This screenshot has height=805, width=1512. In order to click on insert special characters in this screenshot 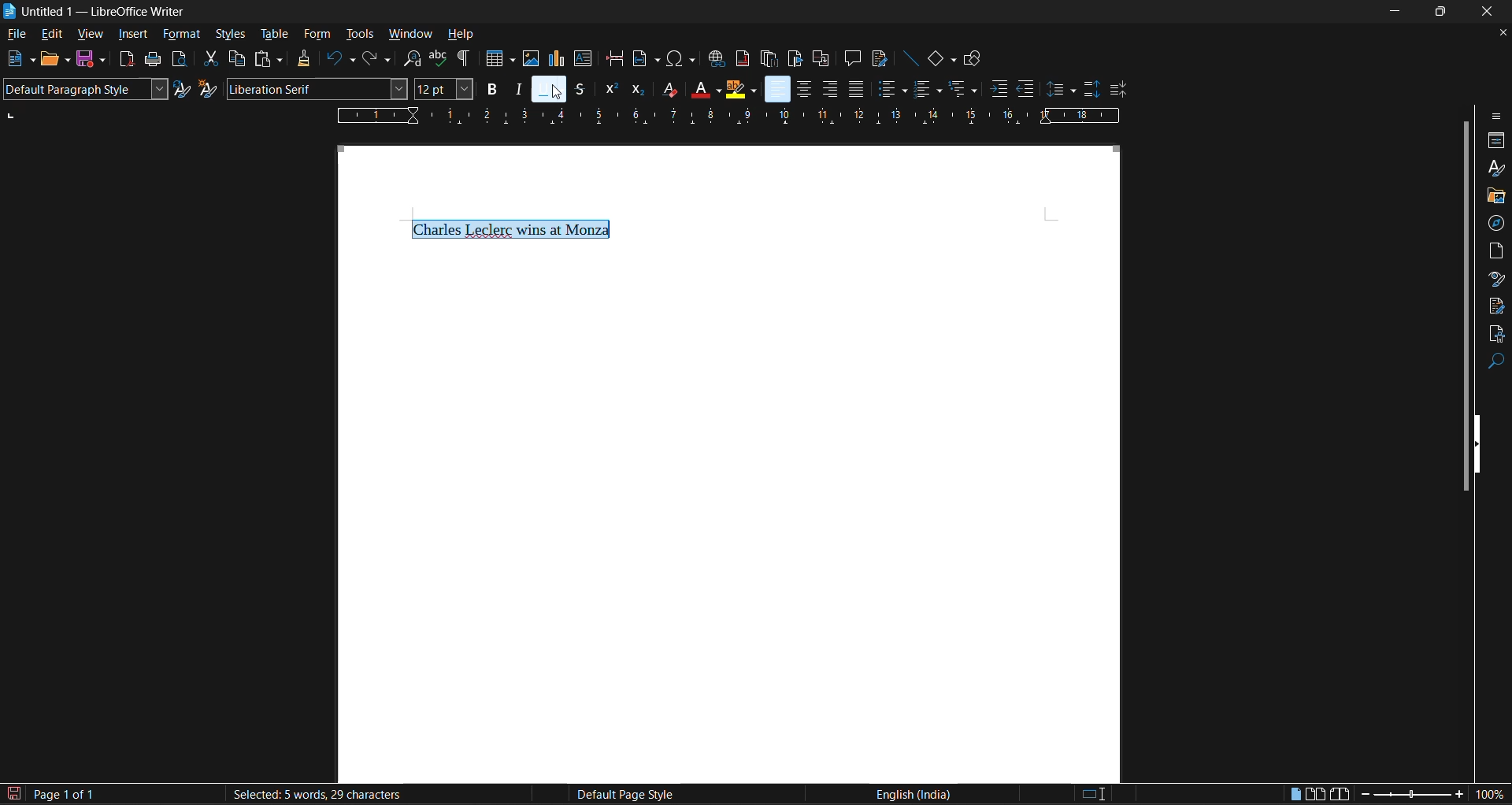, I will do `click(679, 58)`.